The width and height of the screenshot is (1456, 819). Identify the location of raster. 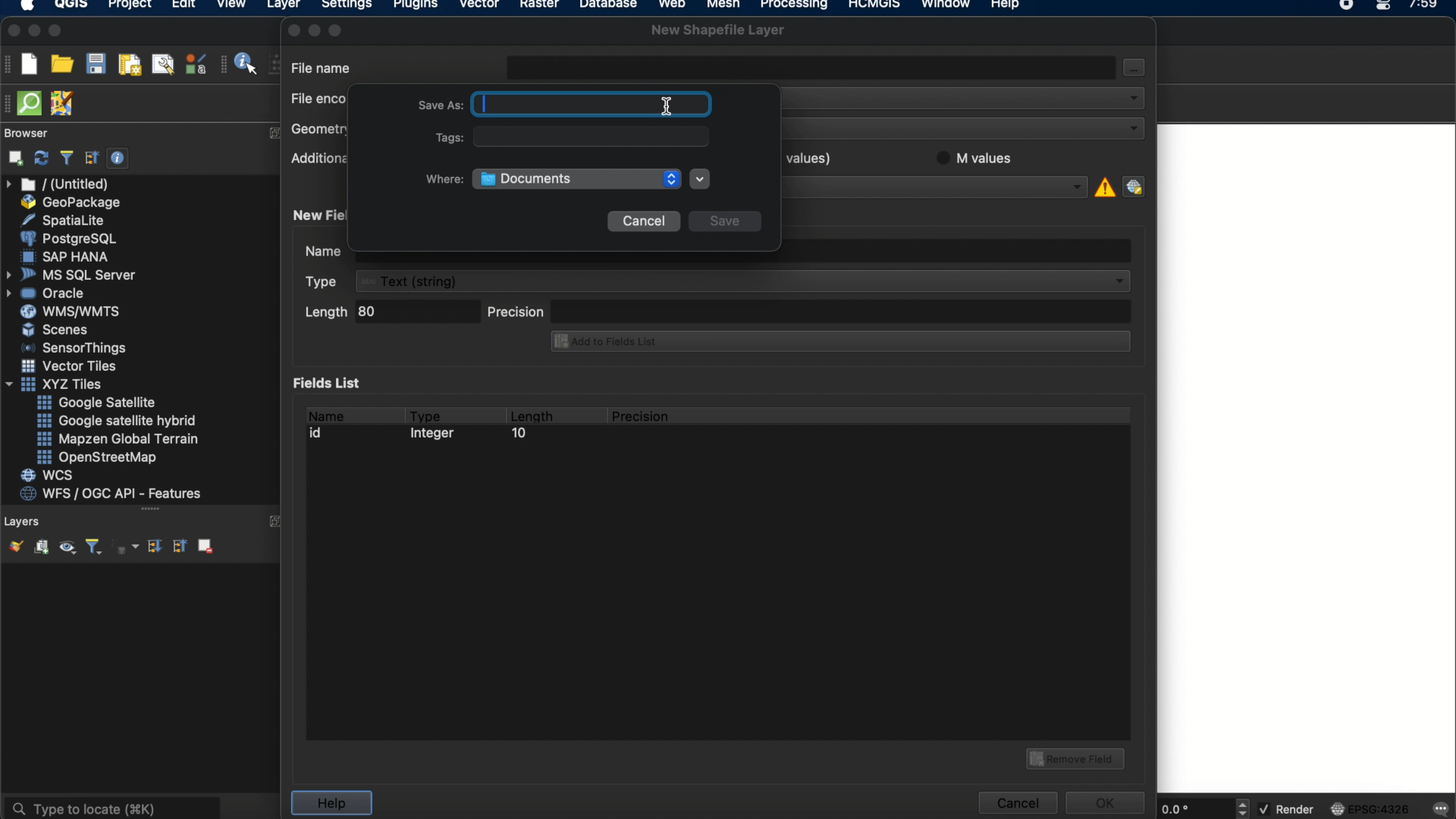
(538, 6).